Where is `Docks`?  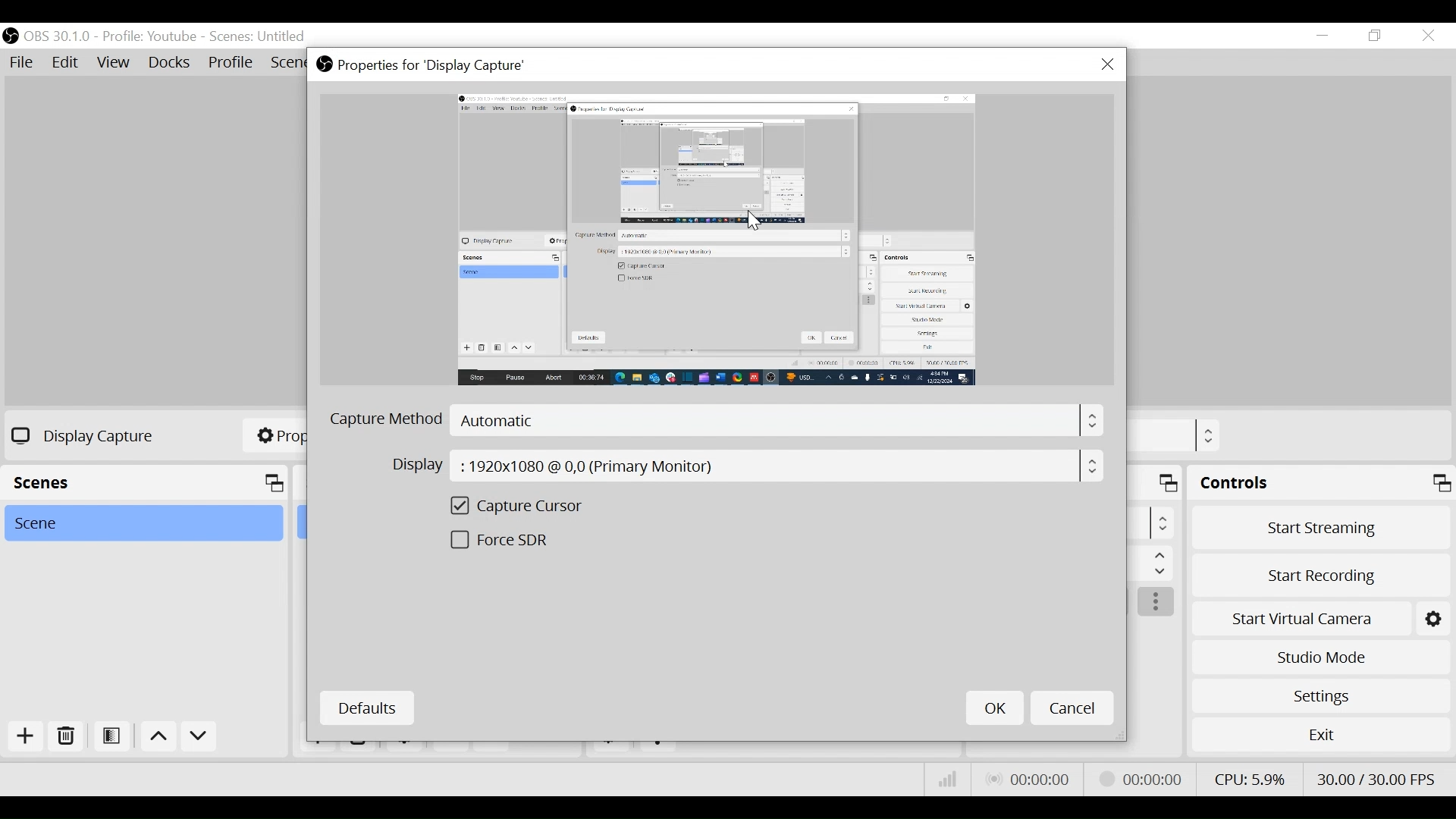
Docks is located at coordinates (171, 63).